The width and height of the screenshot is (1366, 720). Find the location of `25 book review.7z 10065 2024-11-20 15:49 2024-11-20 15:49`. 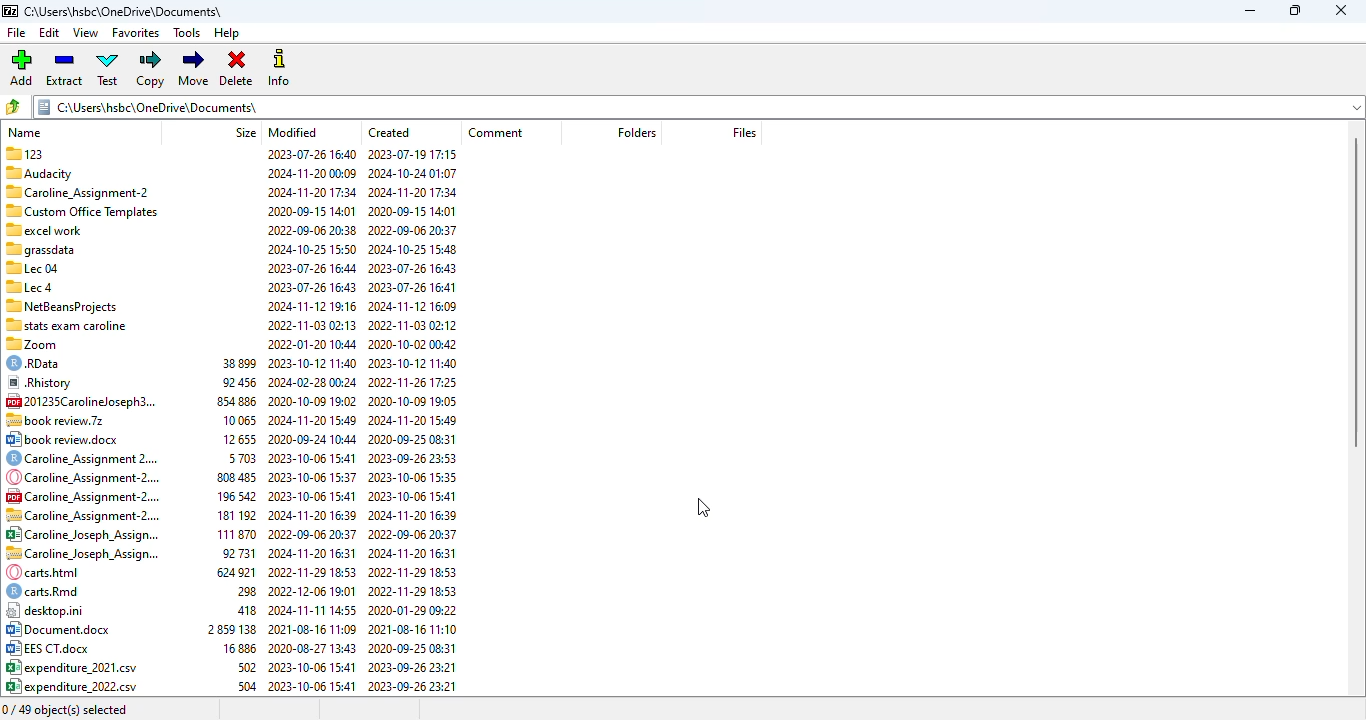

25 book review.7z 10065 2024-11-20 15:49 2024-11-20 15:49 is located at coordinates (232, 400).